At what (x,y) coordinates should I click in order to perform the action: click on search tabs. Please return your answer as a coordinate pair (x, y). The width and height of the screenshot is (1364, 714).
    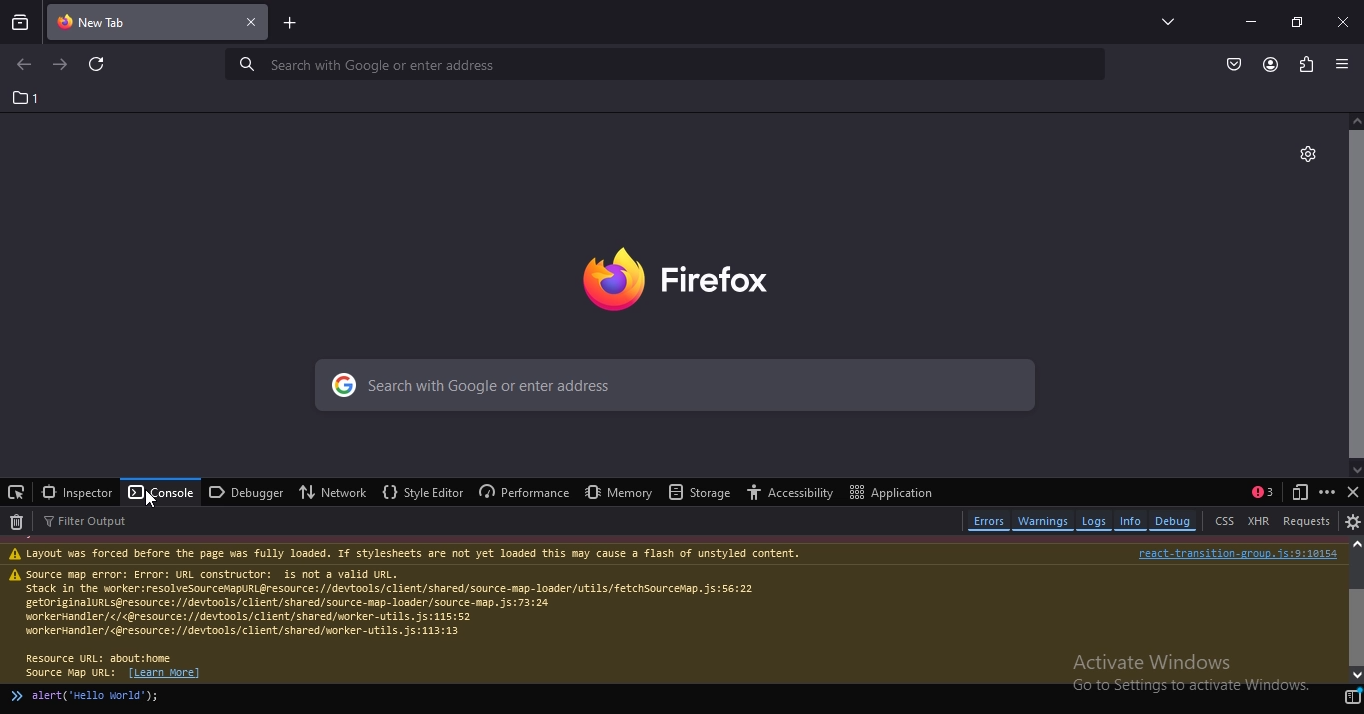
    Looking at the image, I should click on (21, 21).